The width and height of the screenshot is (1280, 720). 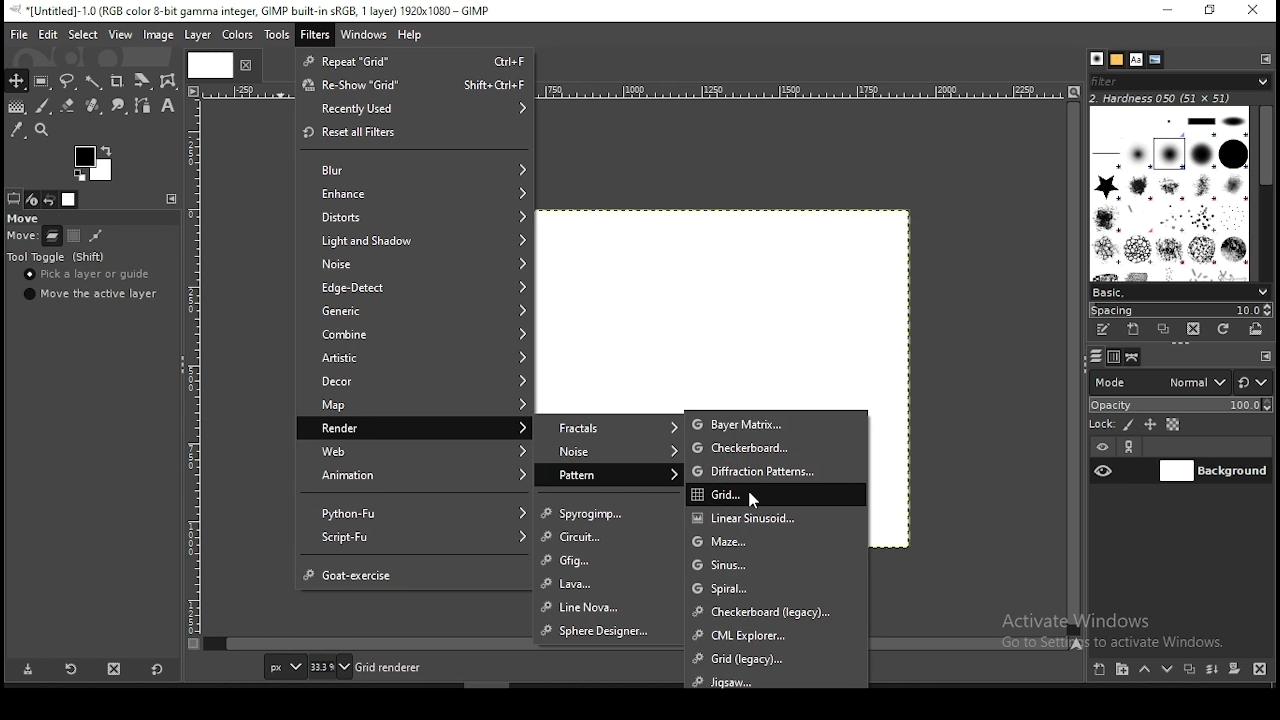 I want to click on CML explorer, so click(x=777, y=632).